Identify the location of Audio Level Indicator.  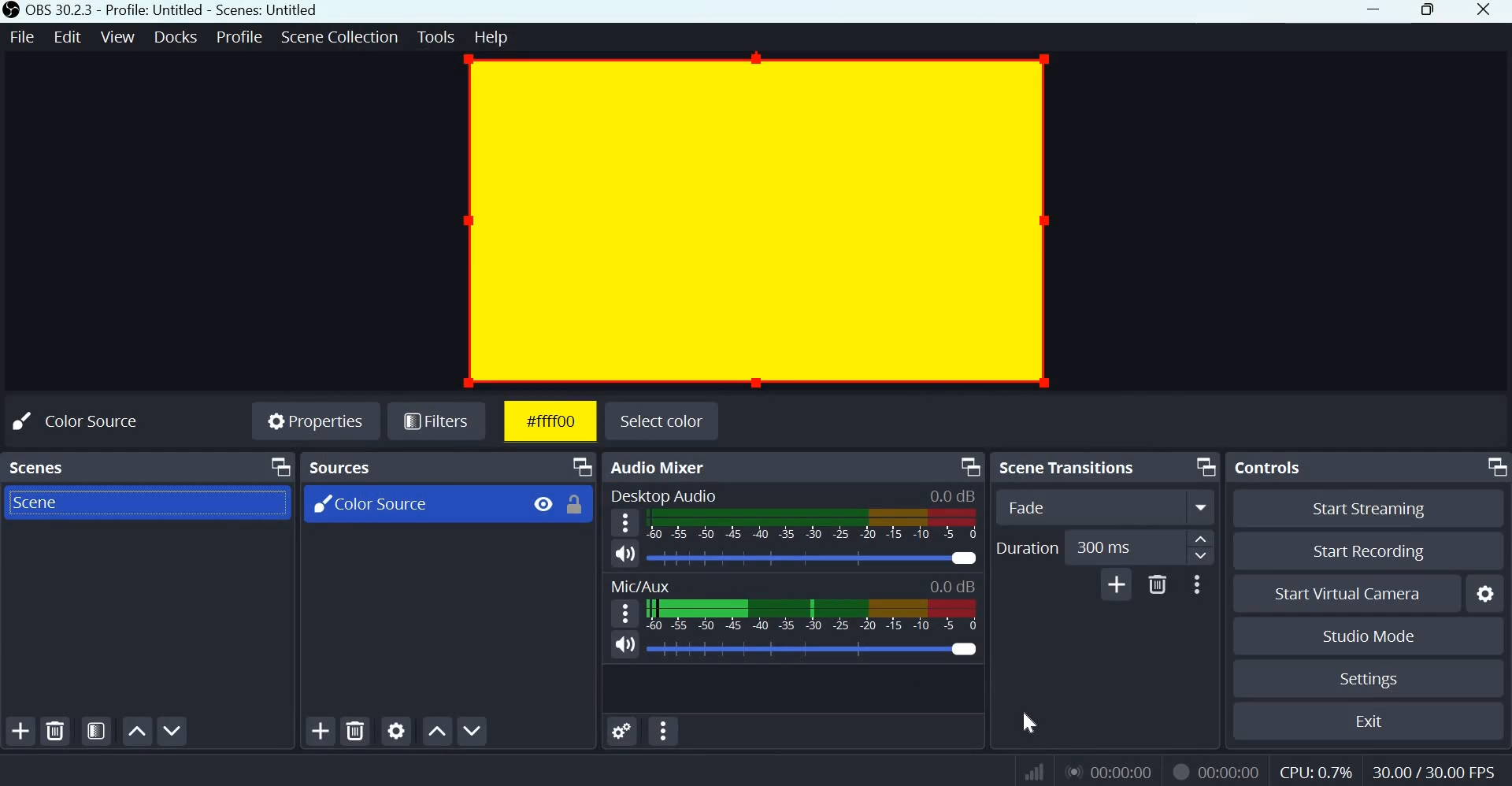
(953, 495).